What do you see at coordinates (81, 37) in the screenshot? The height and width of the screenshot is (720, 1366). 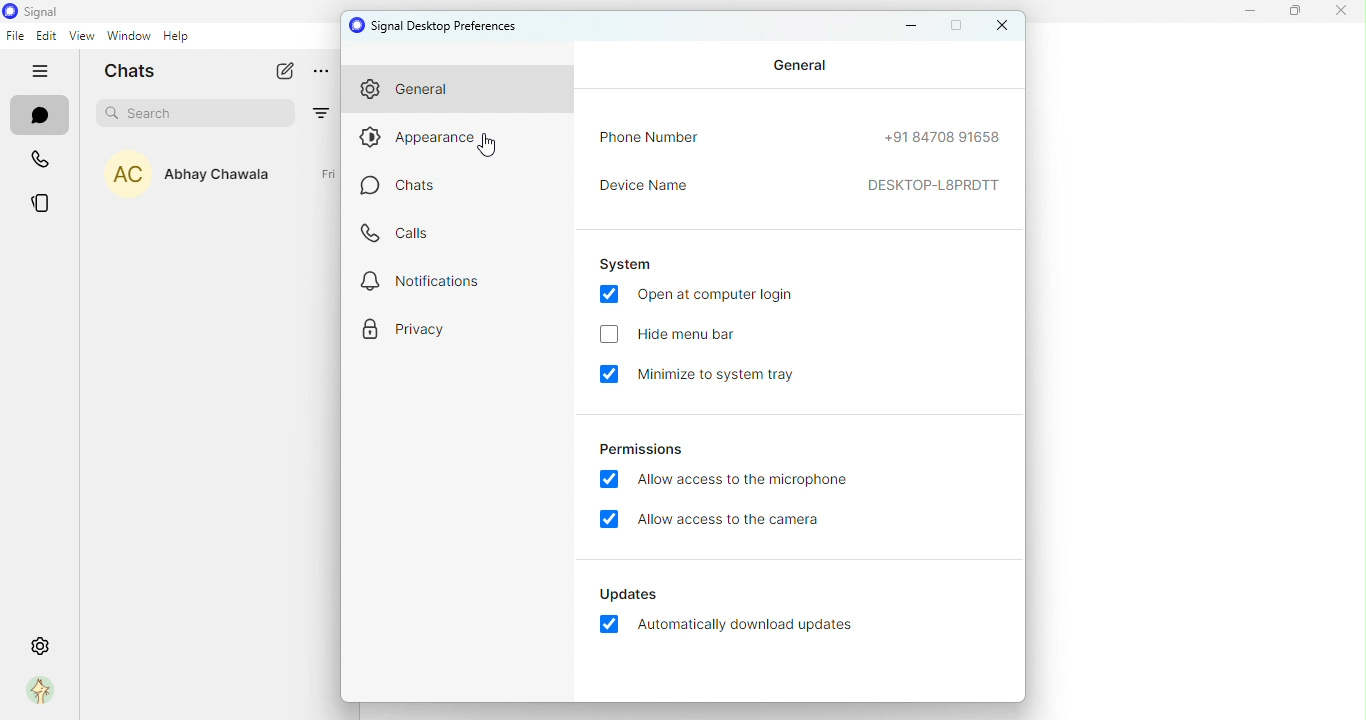 I see `view` at bounding box center [81, 37].